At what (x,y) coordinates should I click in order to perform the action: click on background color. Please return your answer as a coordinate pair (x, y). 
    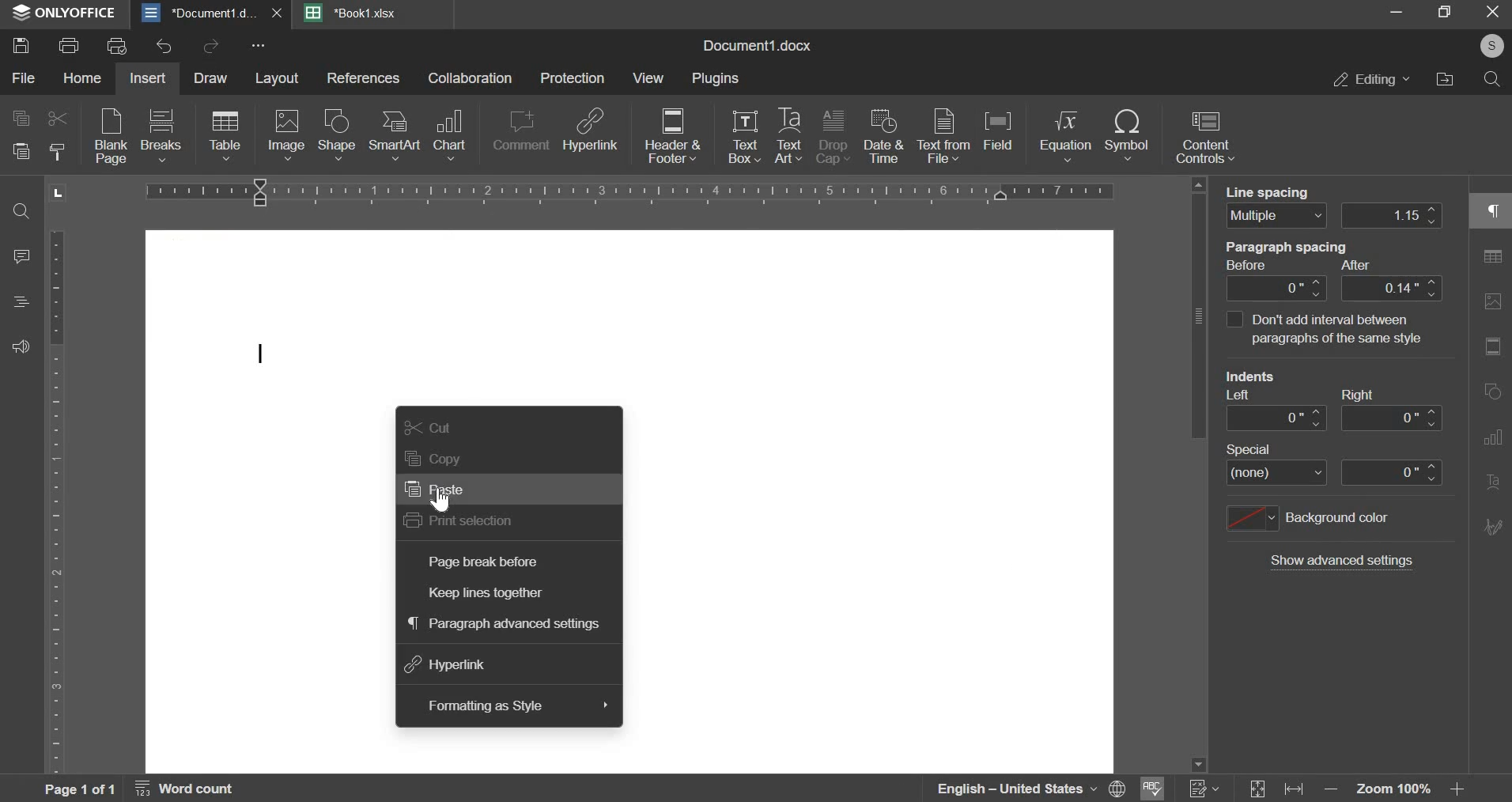
    Looking at the image, I should click on (1308, 519).